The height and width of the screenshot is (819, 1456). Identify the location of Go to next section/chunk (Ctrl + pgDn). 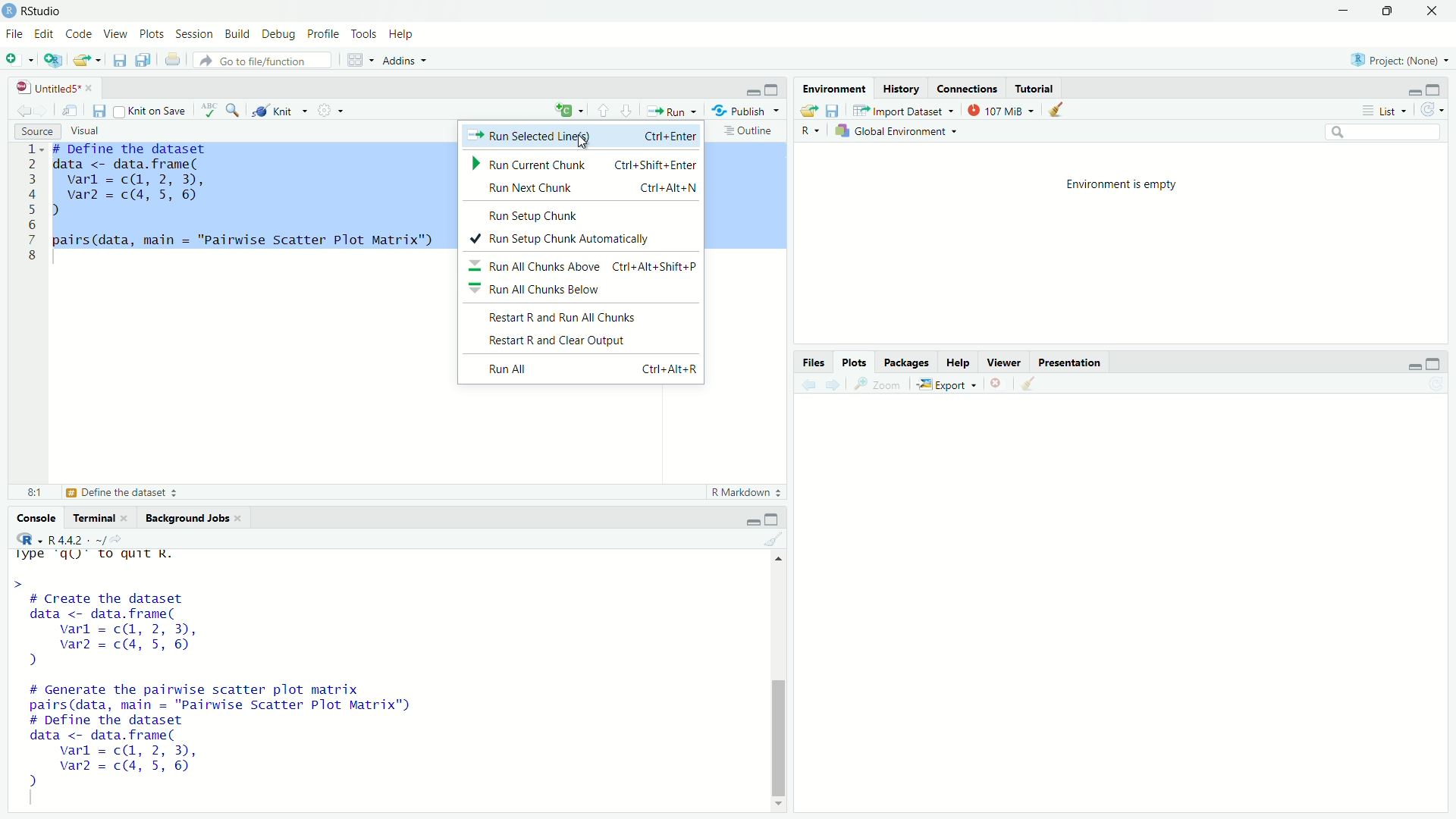
(626, 110).